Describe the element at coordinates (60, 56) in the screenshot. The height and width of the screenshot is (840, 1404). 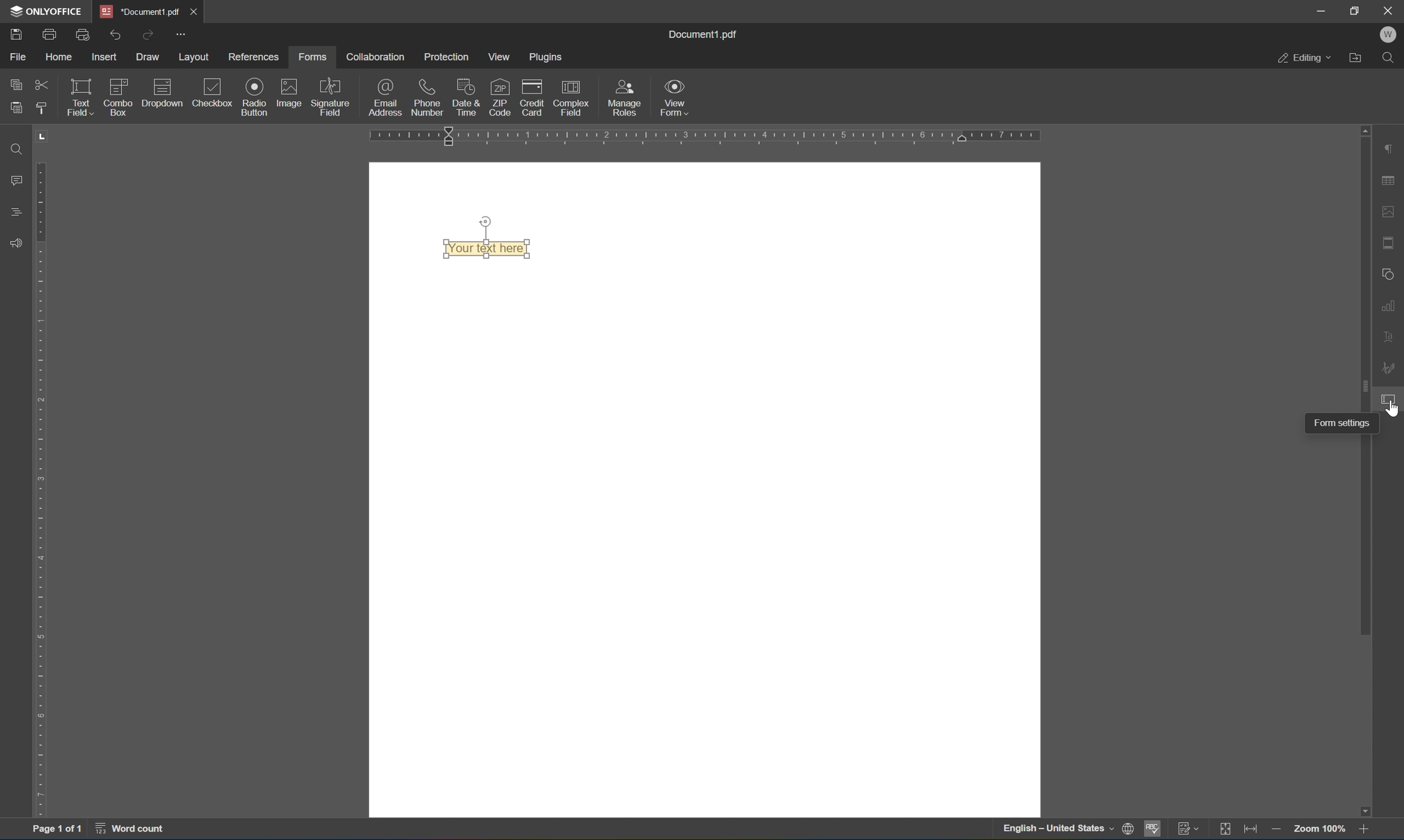
I see `home` at that location.